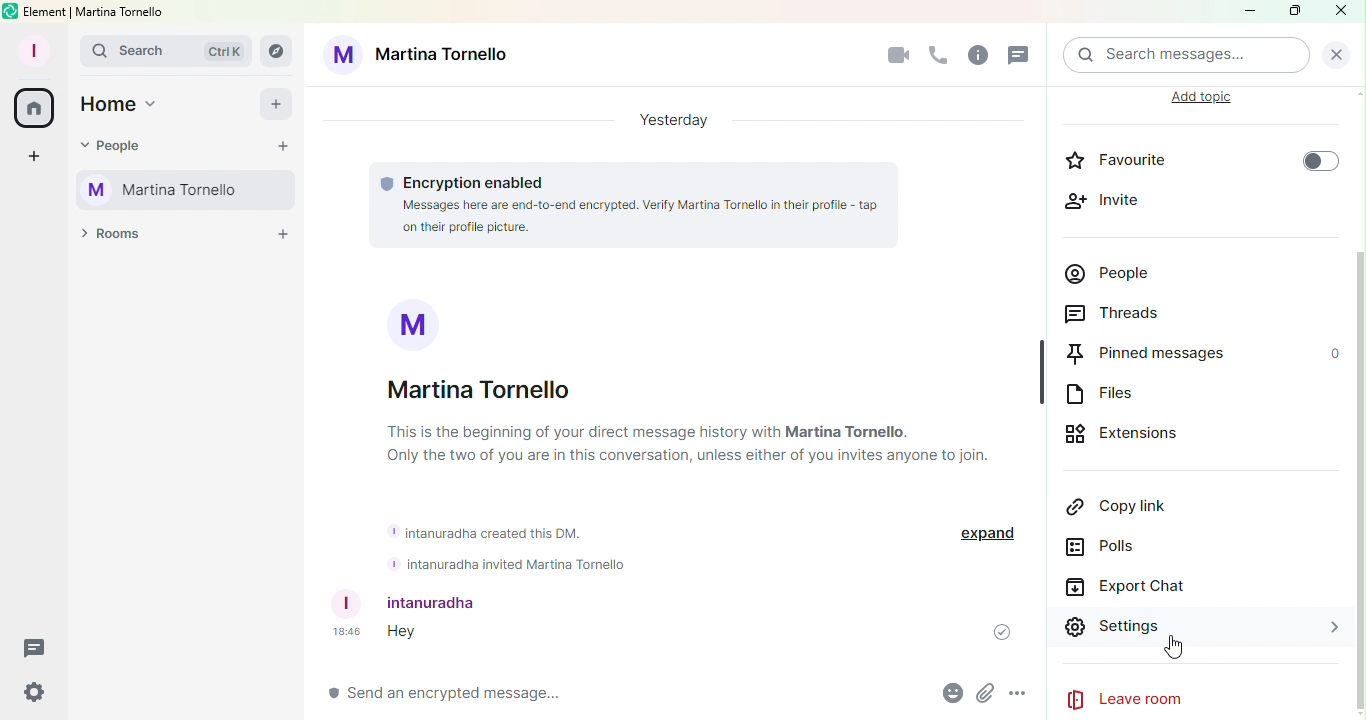 This screenshot has height=720, width=1366. What do you see at coordinates (39, 644) in the screenshot?
I see `Threads` at bounding box center [39, 644].